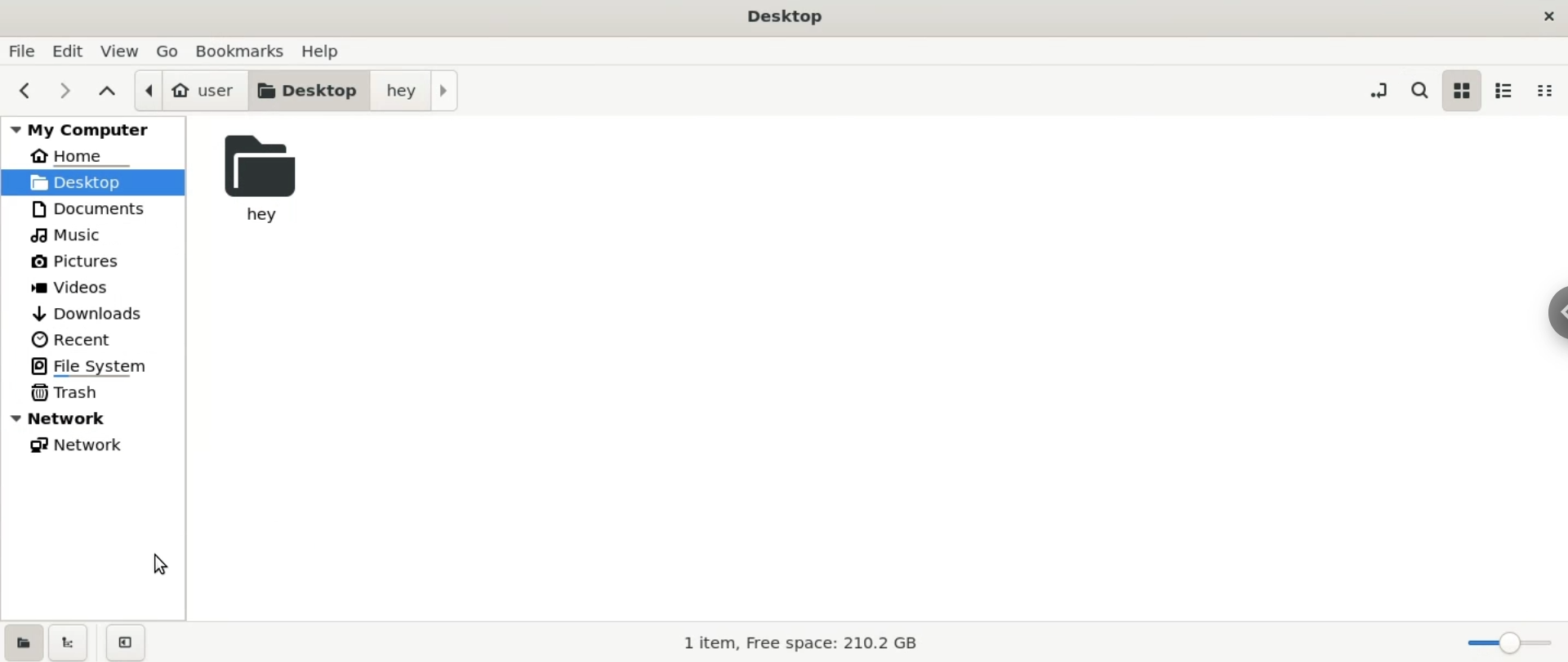 This screenshot has height=662, width=1568. Describe the element at coordinates (421, 89) in the screenshot. I see `hey` at that location.